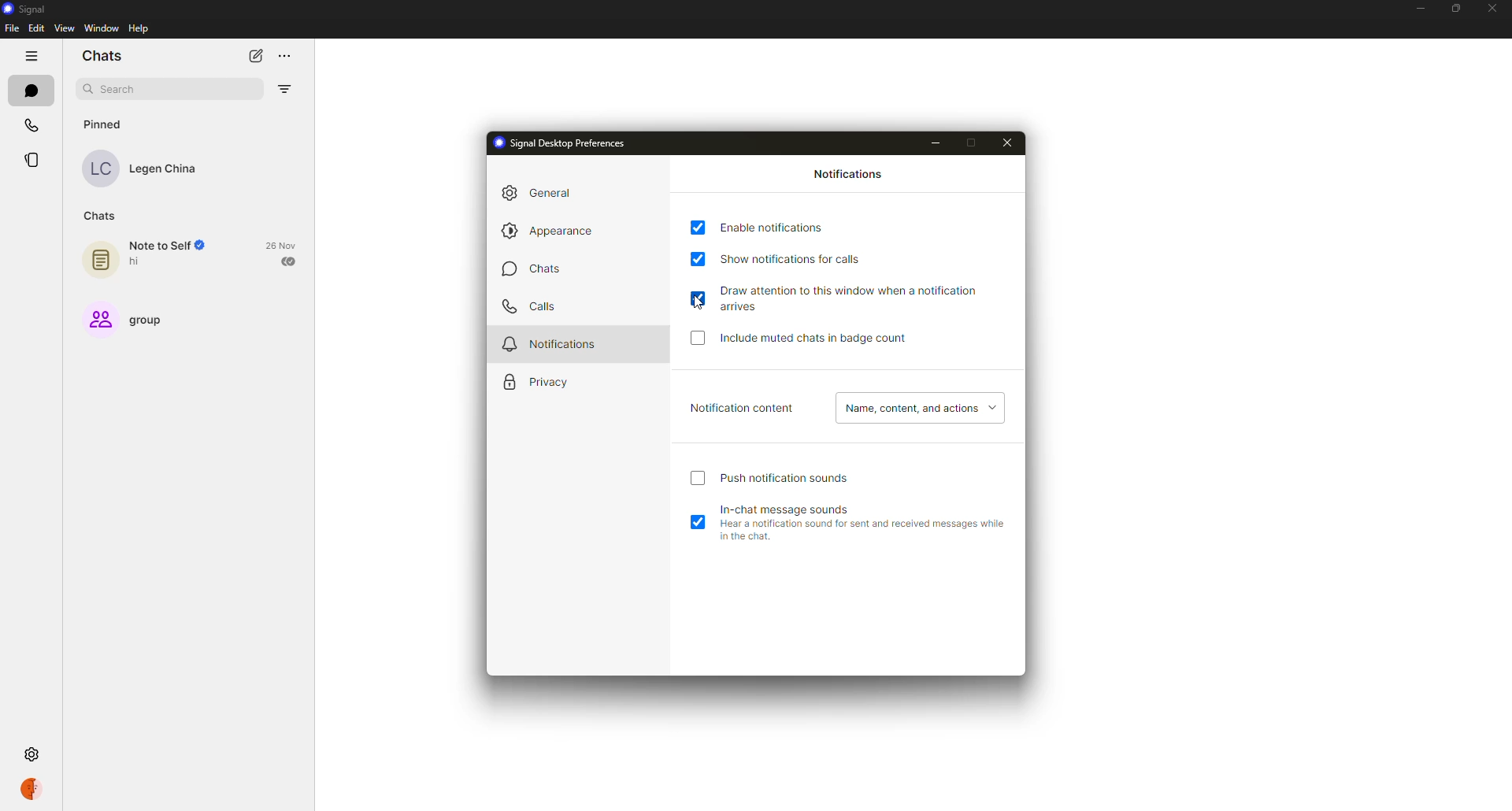 The image size is (1512, 811). What do you see at coordinates (564, 143) in the screenshot?
I see `signal desktop preferences` at bounding box center [564, 143].